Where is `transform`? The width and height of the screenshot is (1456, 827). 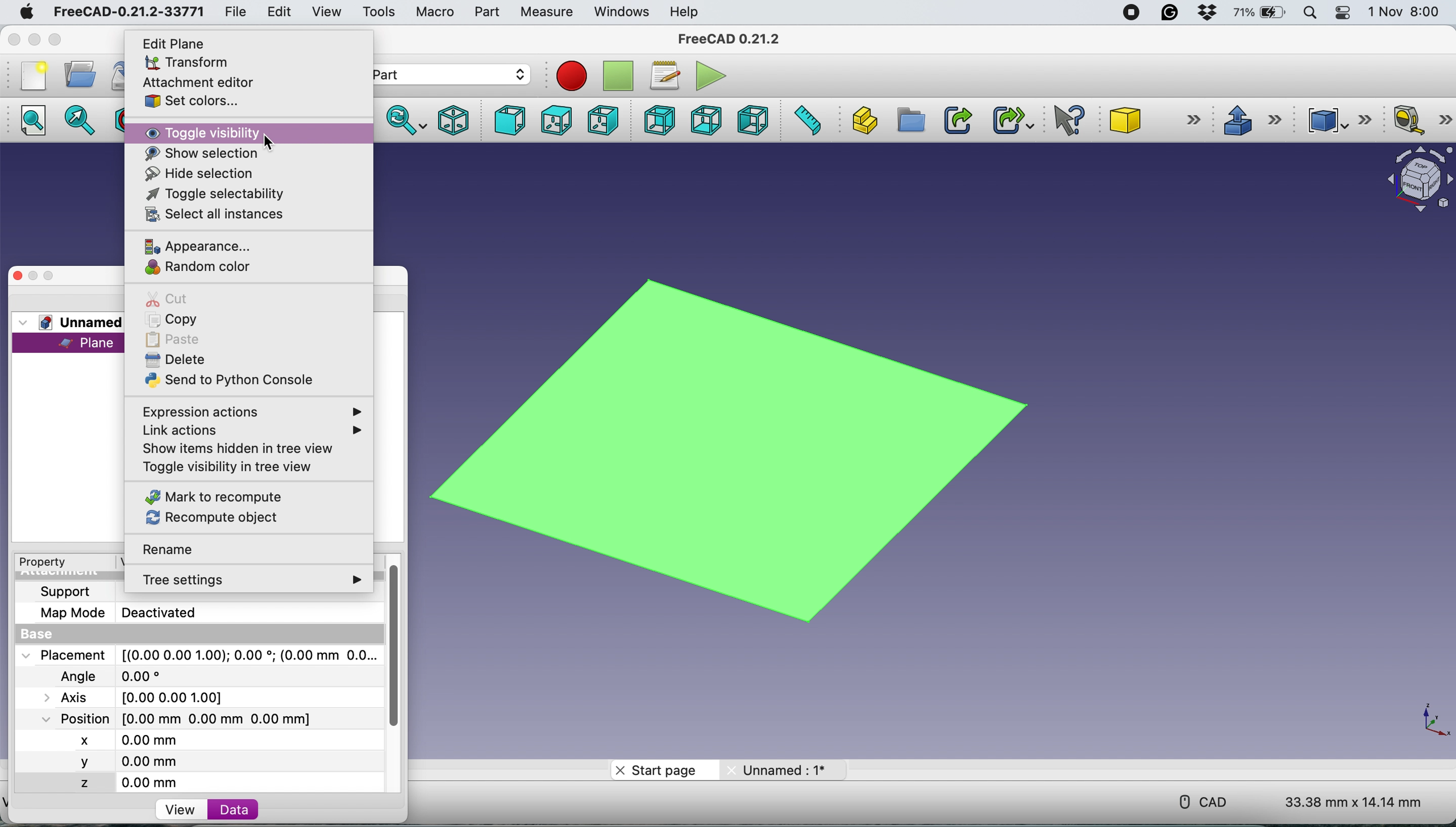
transform is located at coordinates (184, 64).